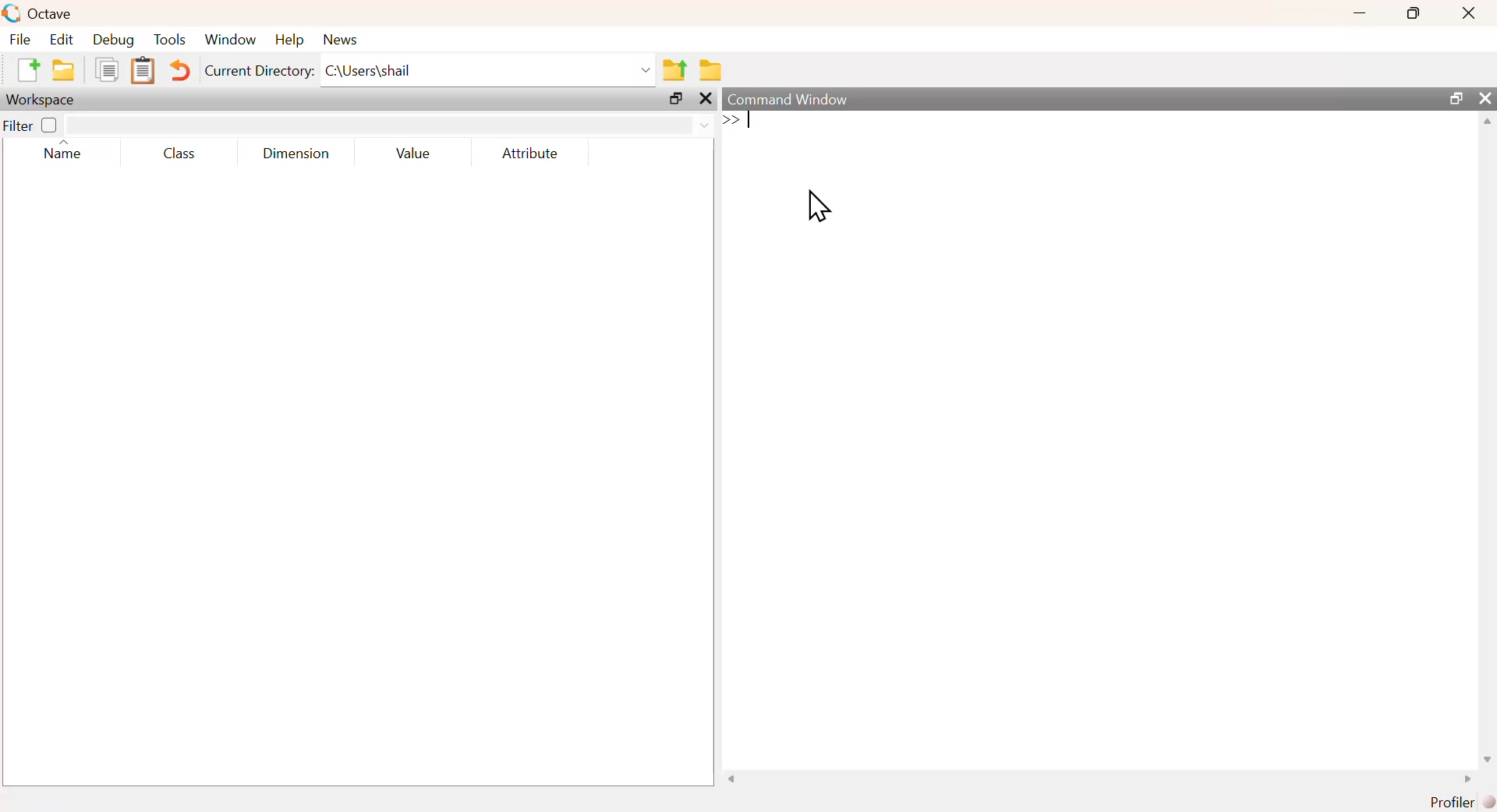  I want to click on Value, so click(418, 154).